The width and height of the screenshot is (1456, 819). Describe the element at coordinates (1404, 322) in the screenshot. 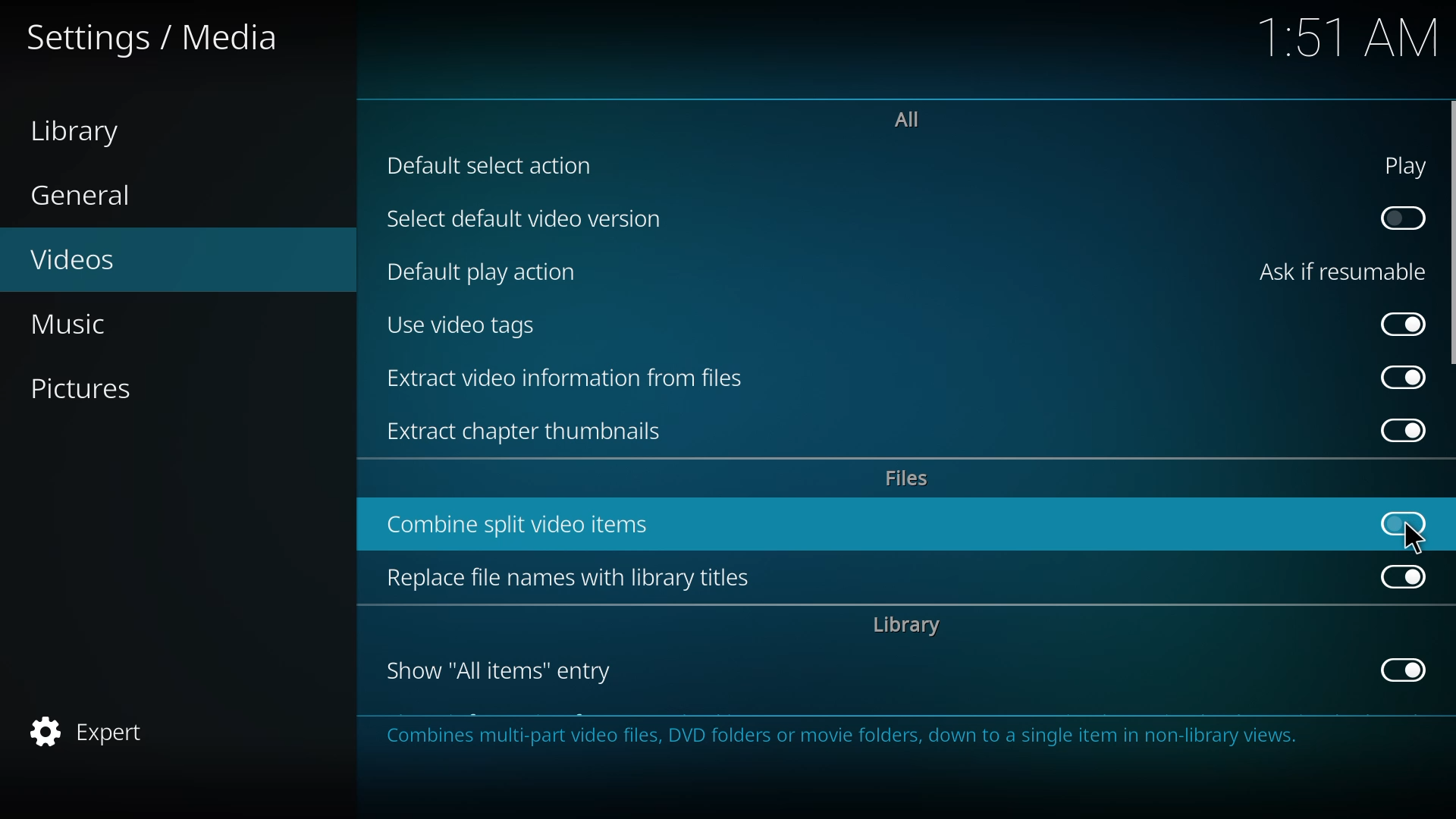

I see `enabled` at that location.